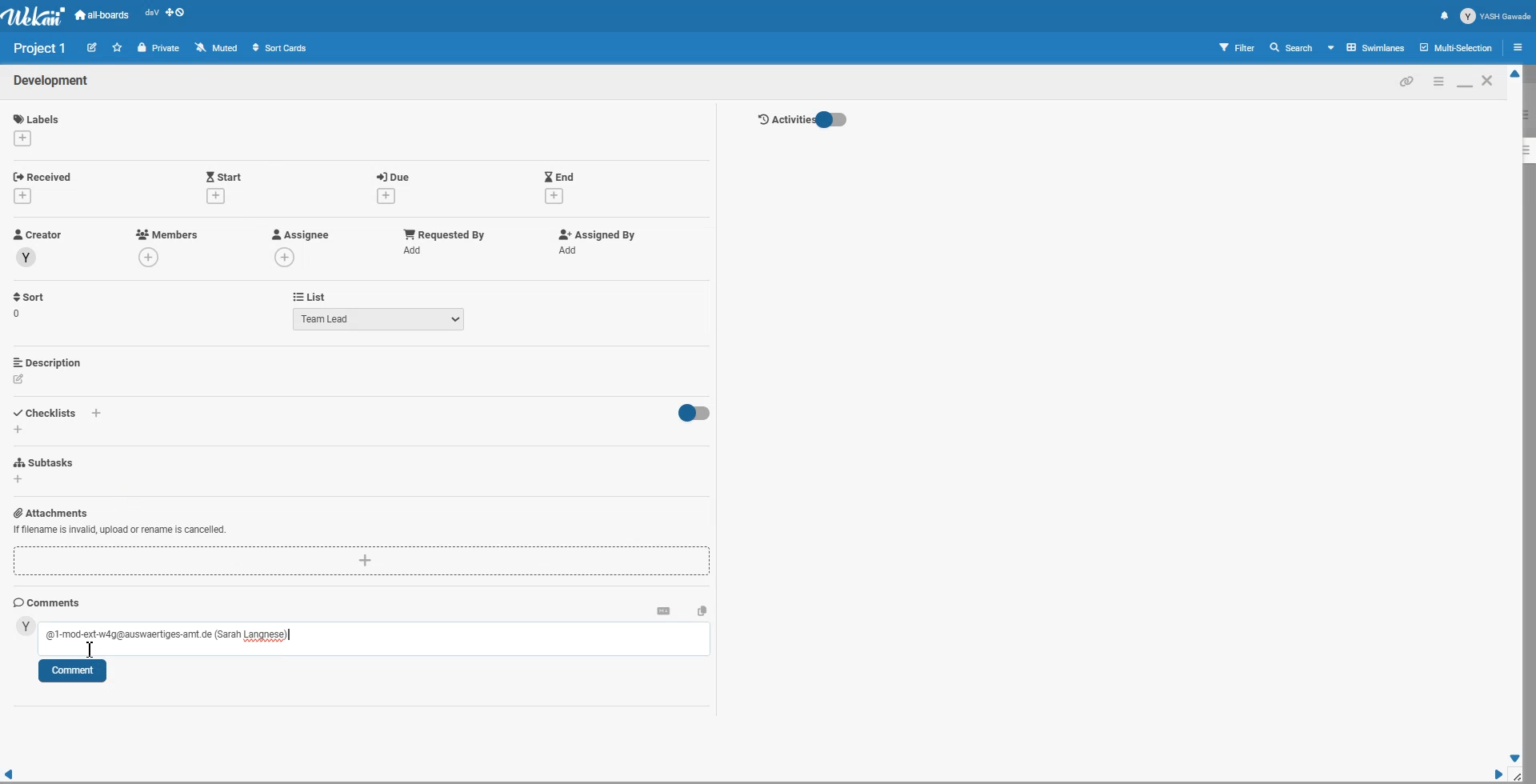 The height and width of the screenshot is (784, 1536). I want to click on Text, so click(41, 48).